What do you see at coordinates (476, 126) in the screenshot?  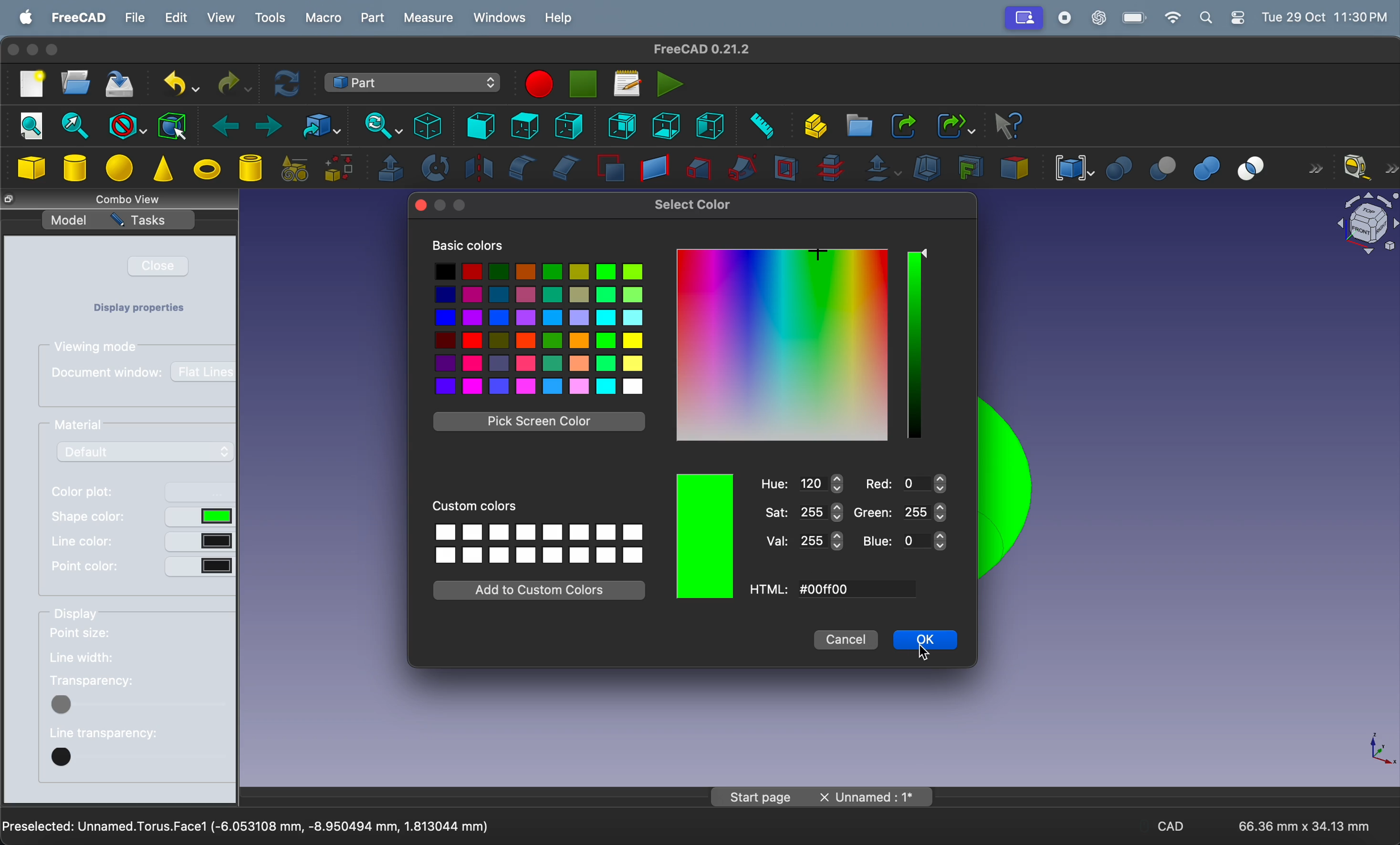 I see `frint view` at bounding box center [476, 126].